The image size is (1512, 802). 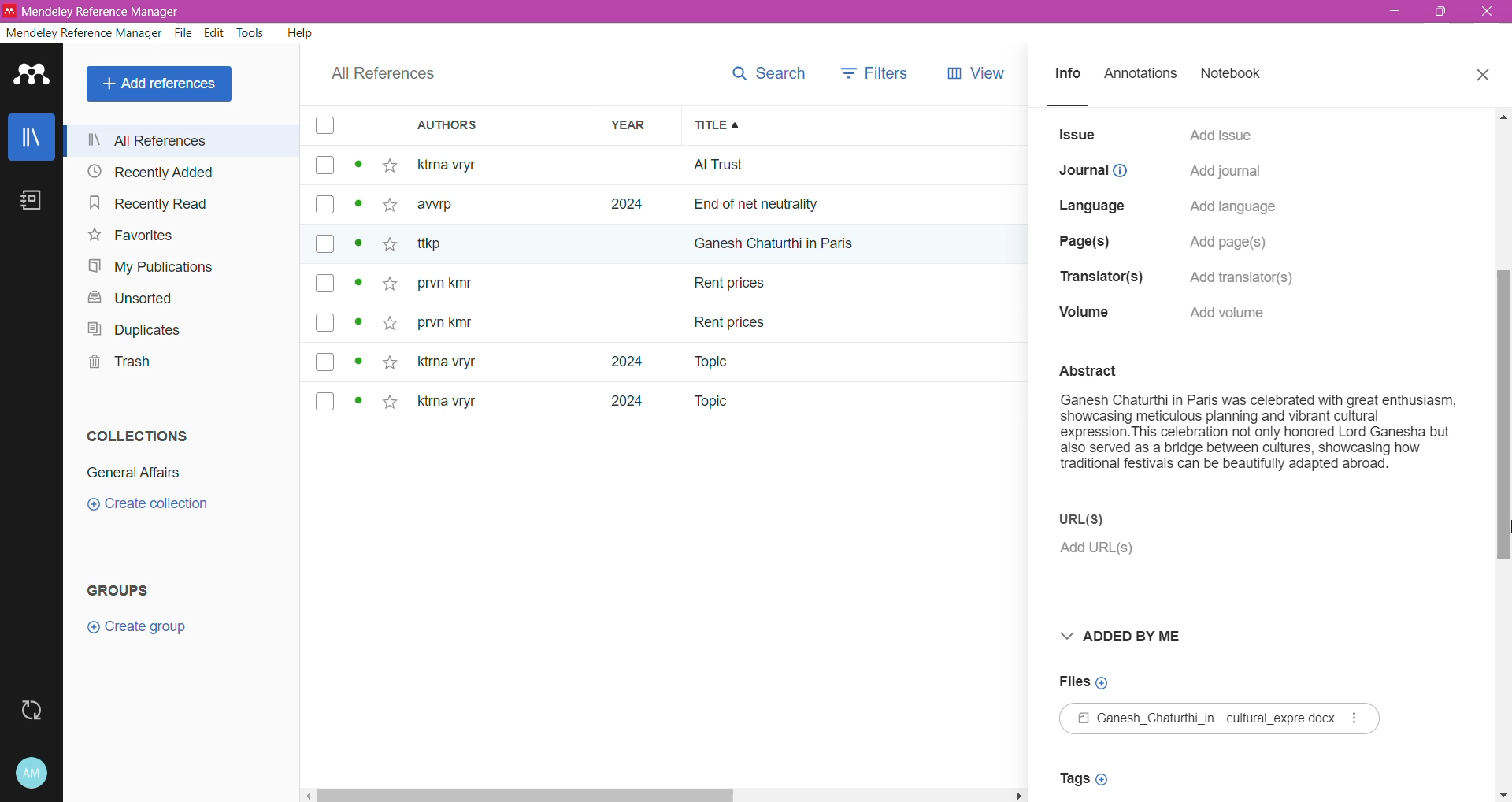 I want to click on Duplicates, so click(x=135, y=329).